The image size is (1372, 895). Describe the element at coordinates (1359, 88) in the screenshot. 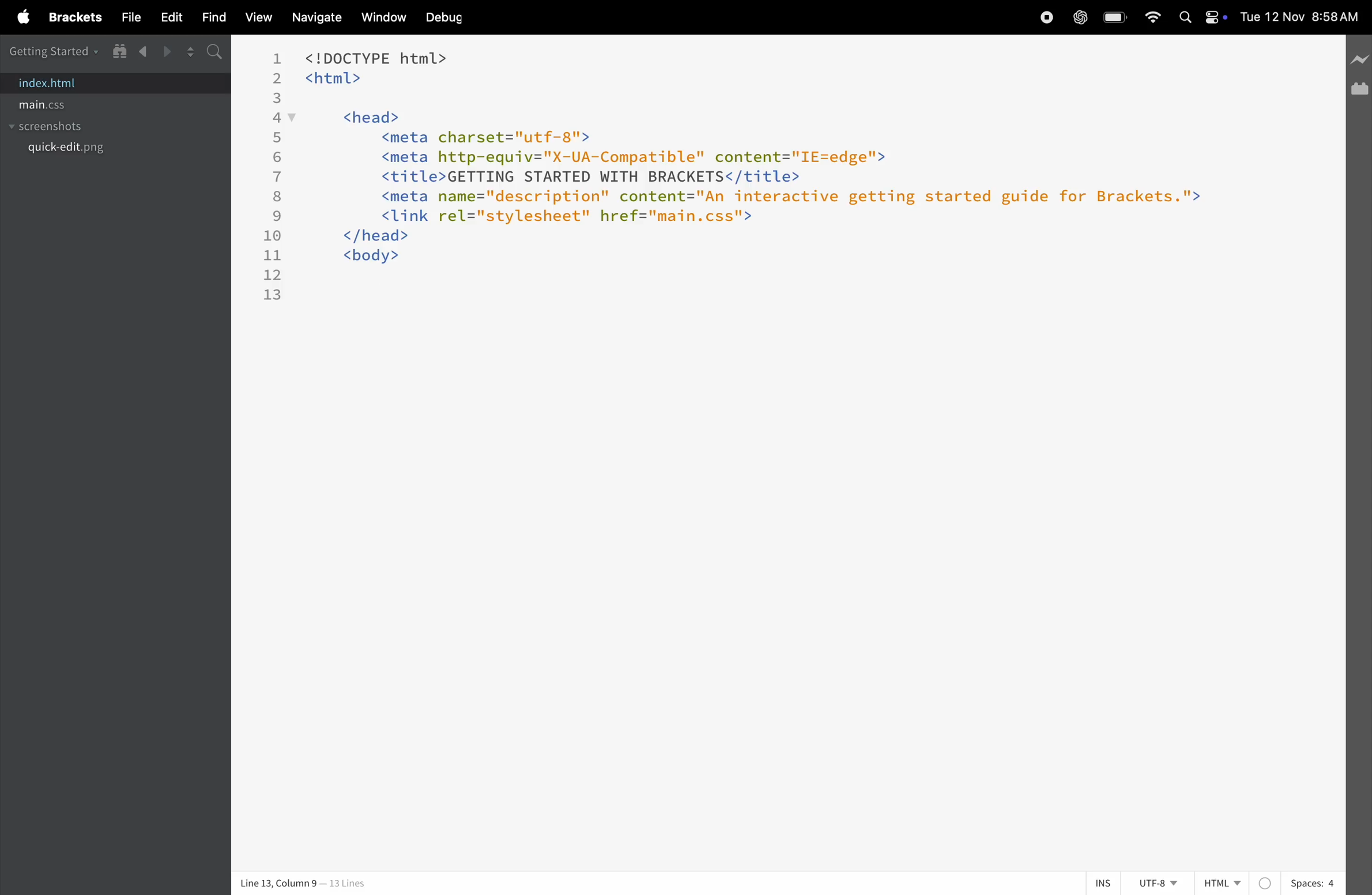

I see `extension mamager` at that location.